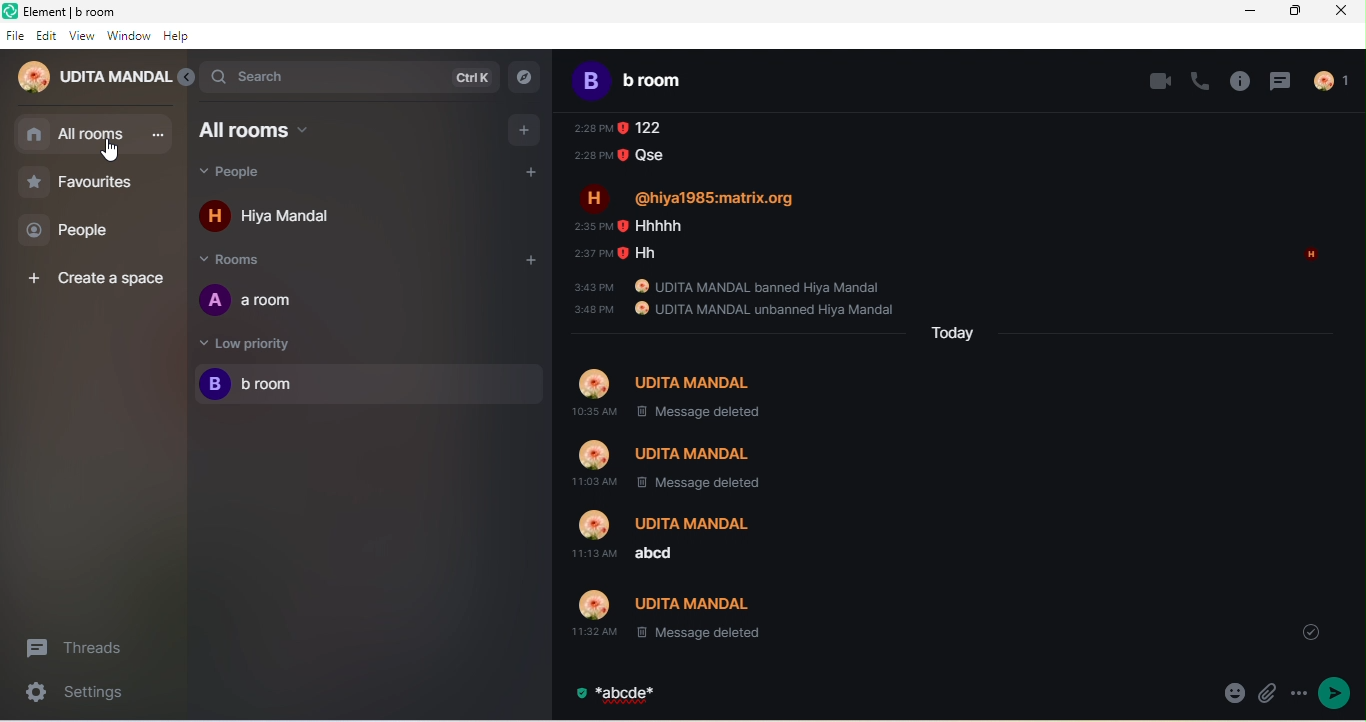  I want to click on b room, so click(366, 384).